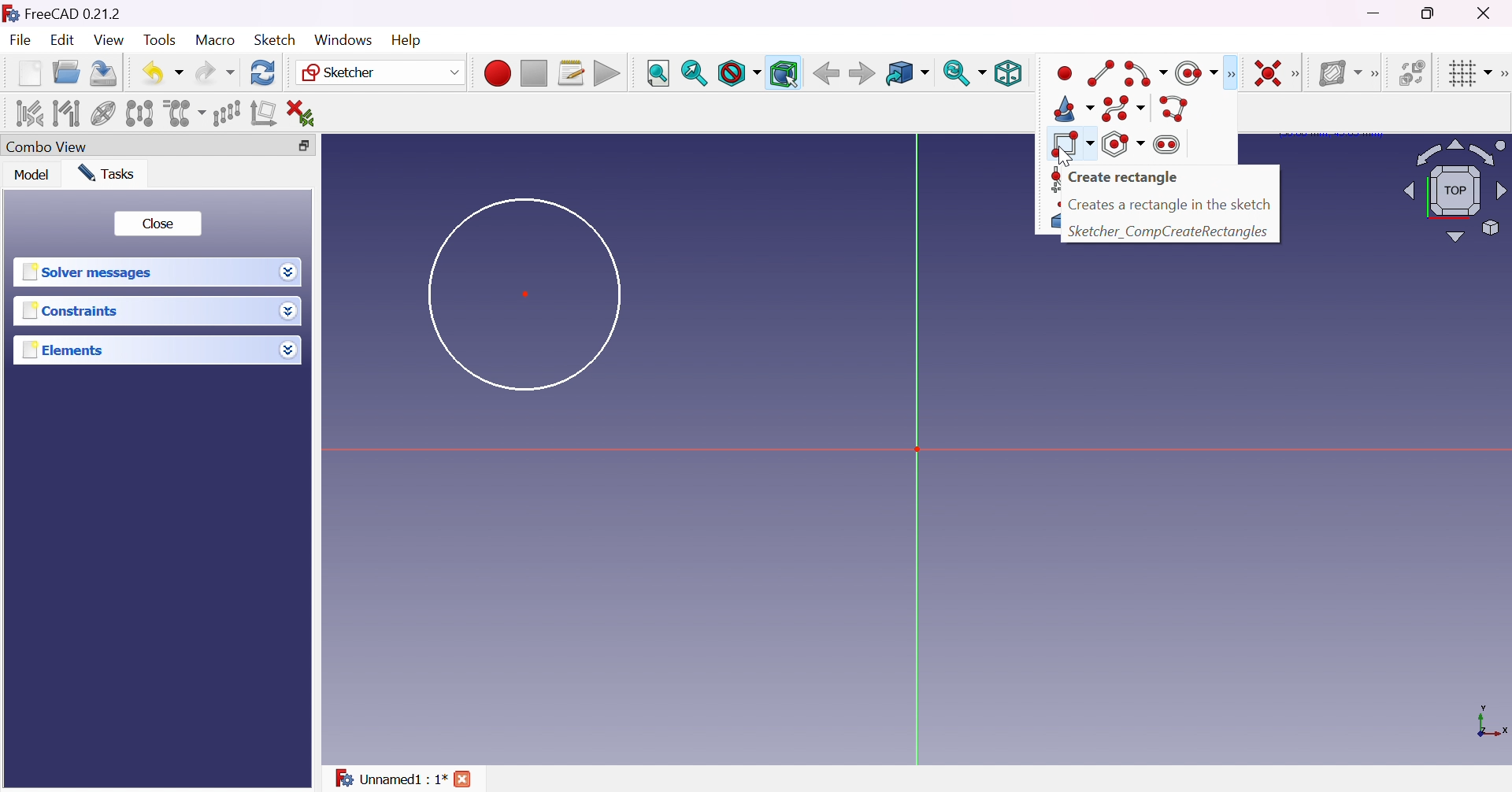  Describe the element at coordinates (1468, 72) in the screenshot. I see `Toggle grid` at that location.